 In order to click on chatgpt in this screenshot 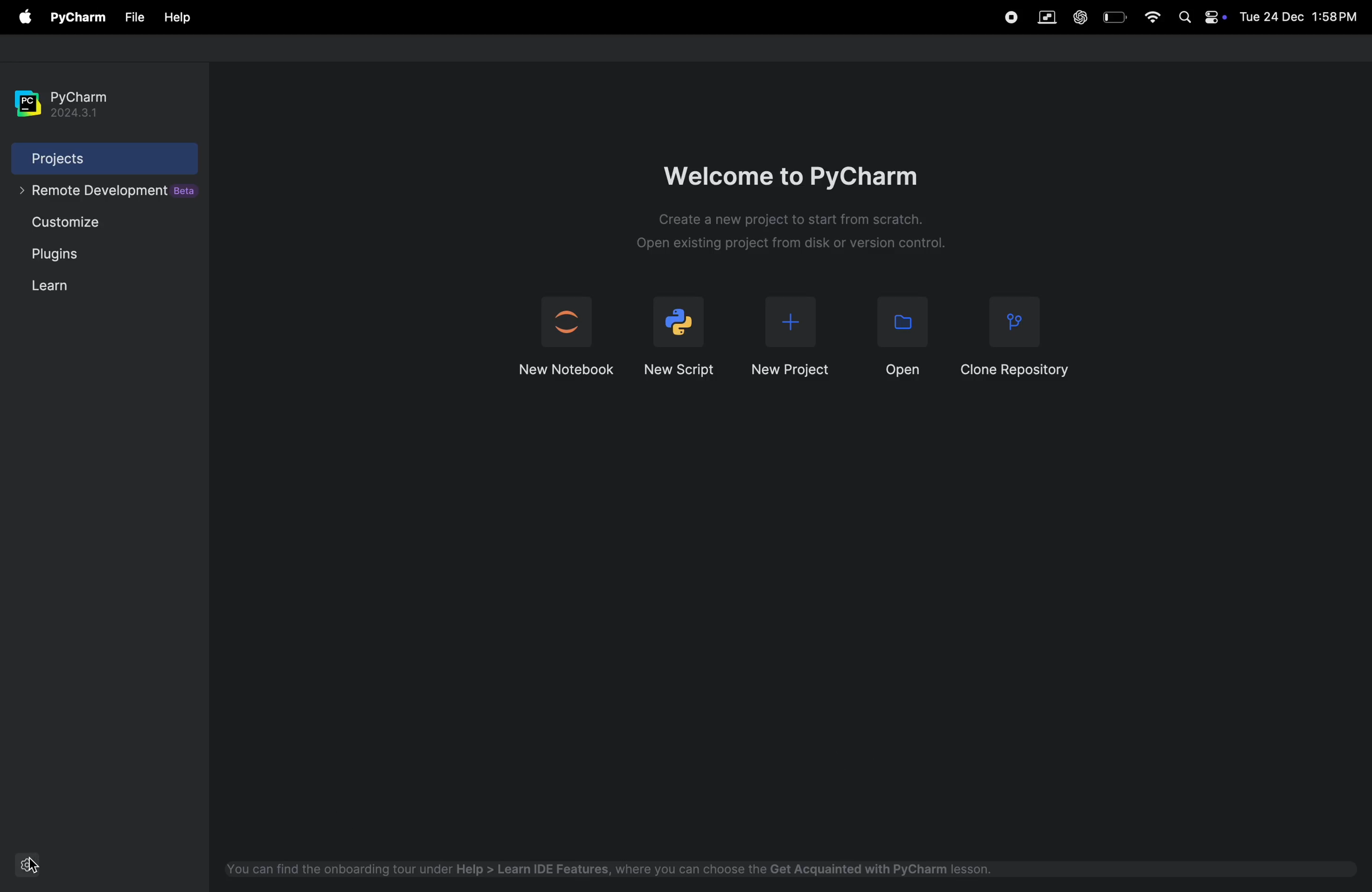, I will do `click(1081, 14)`.